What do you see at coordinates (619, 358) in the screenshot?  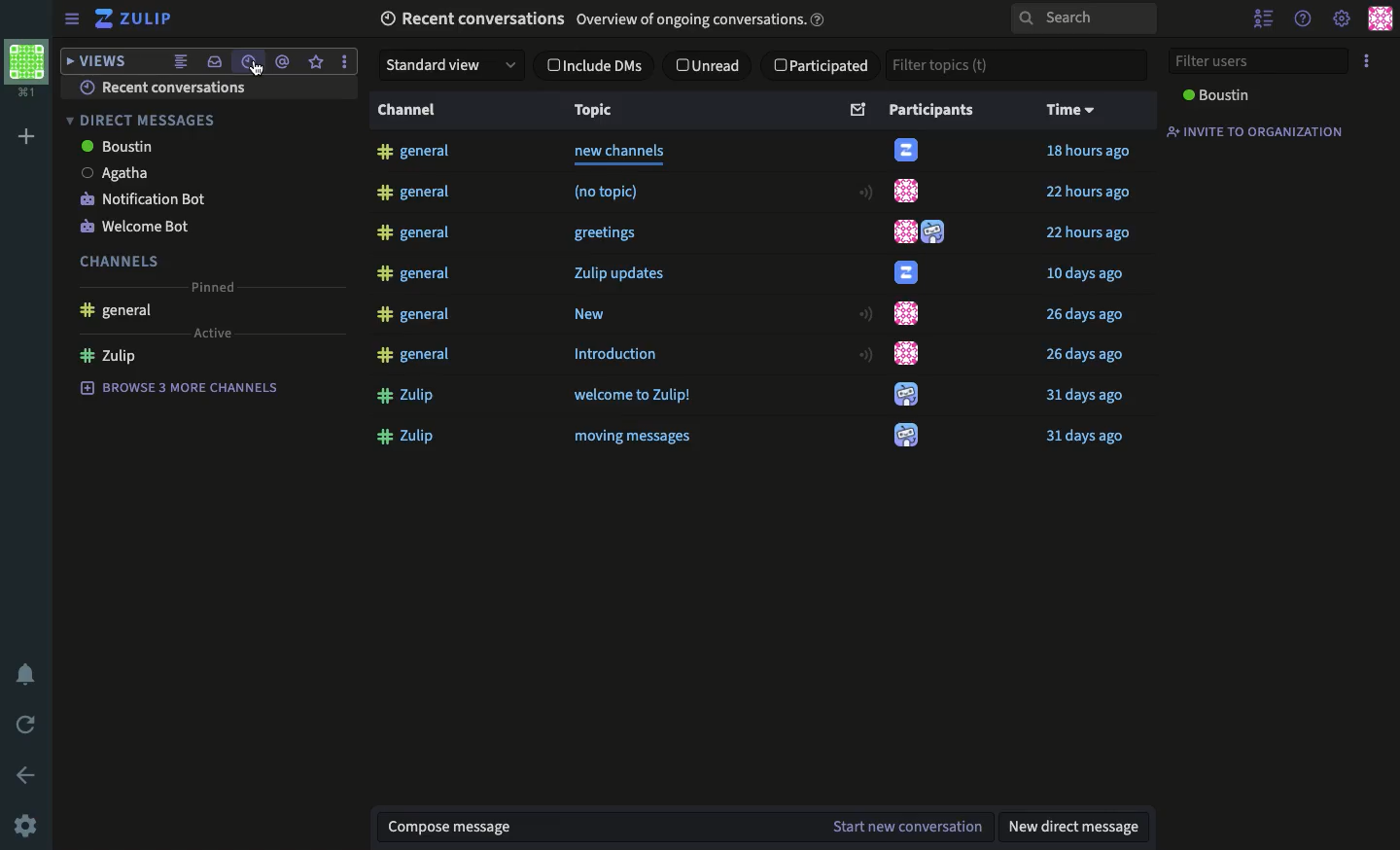 I see `introduction` at bounding box center [619, 358].